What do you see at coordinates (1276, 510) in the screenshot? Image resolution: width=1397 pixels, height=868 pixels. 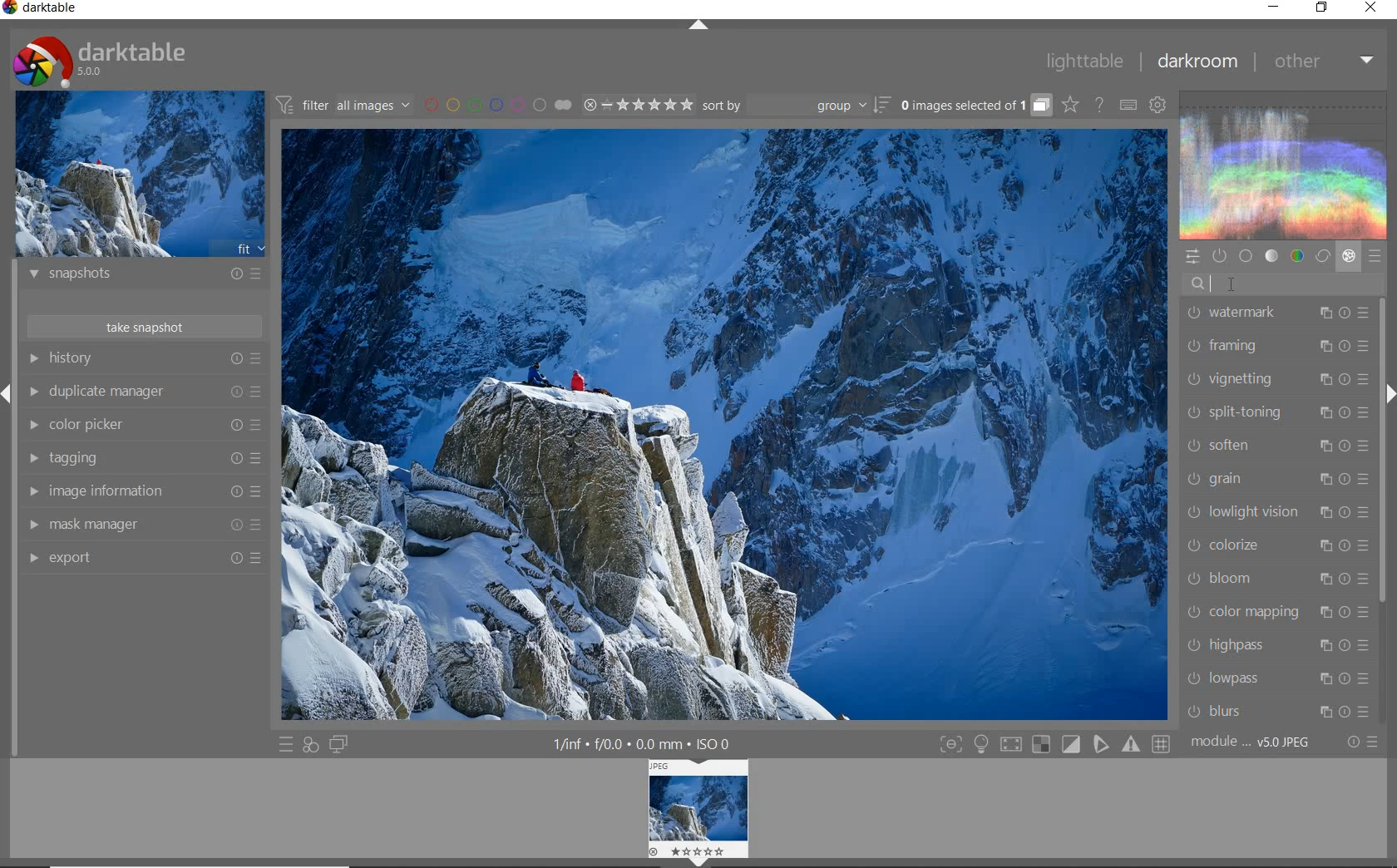 I see `lowlight vision` at bounding box center [1276, 510].